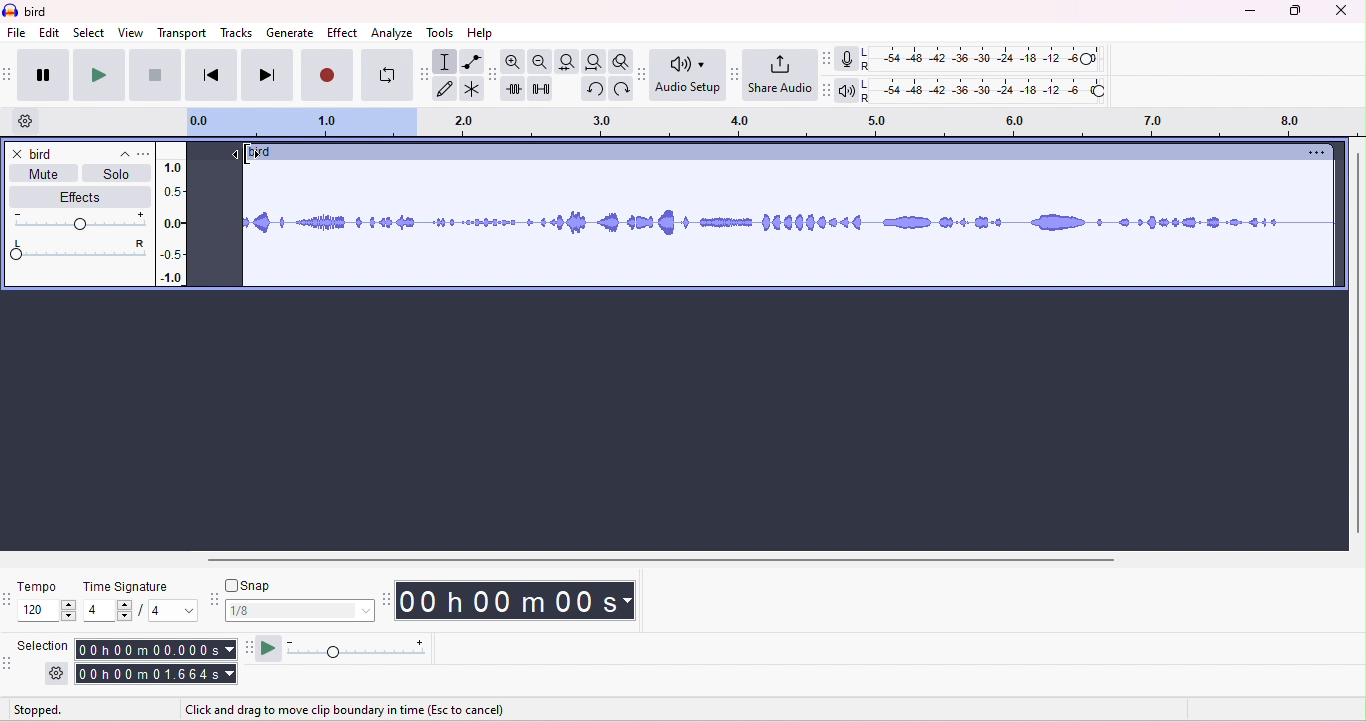 This screenshot has width=1366, height=722. I want to click on playback meter tool bar, so click(823, 58).